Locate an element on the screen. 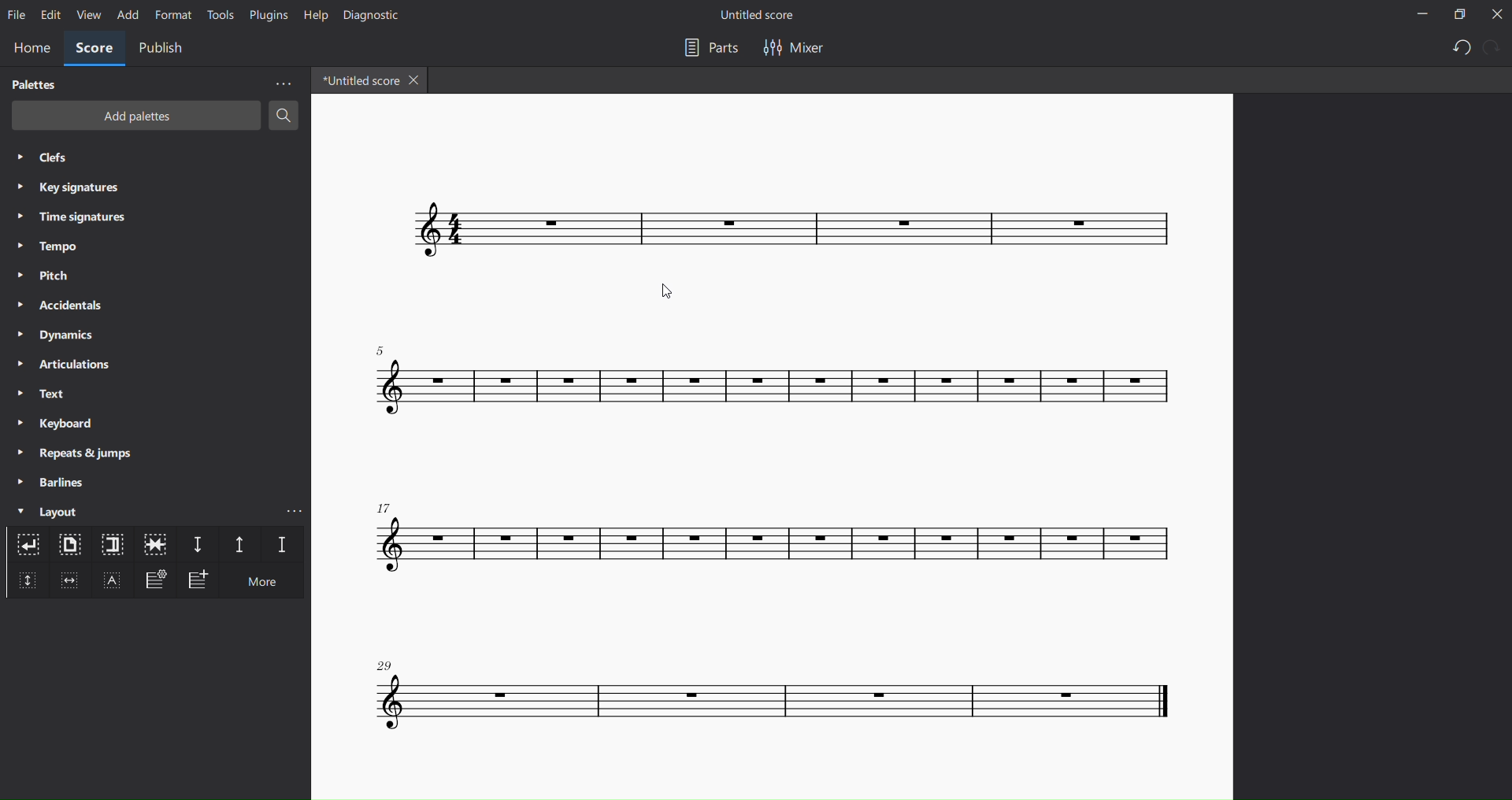 The image size is (1512, 800). more layout options is located at coordinates (298, 510).